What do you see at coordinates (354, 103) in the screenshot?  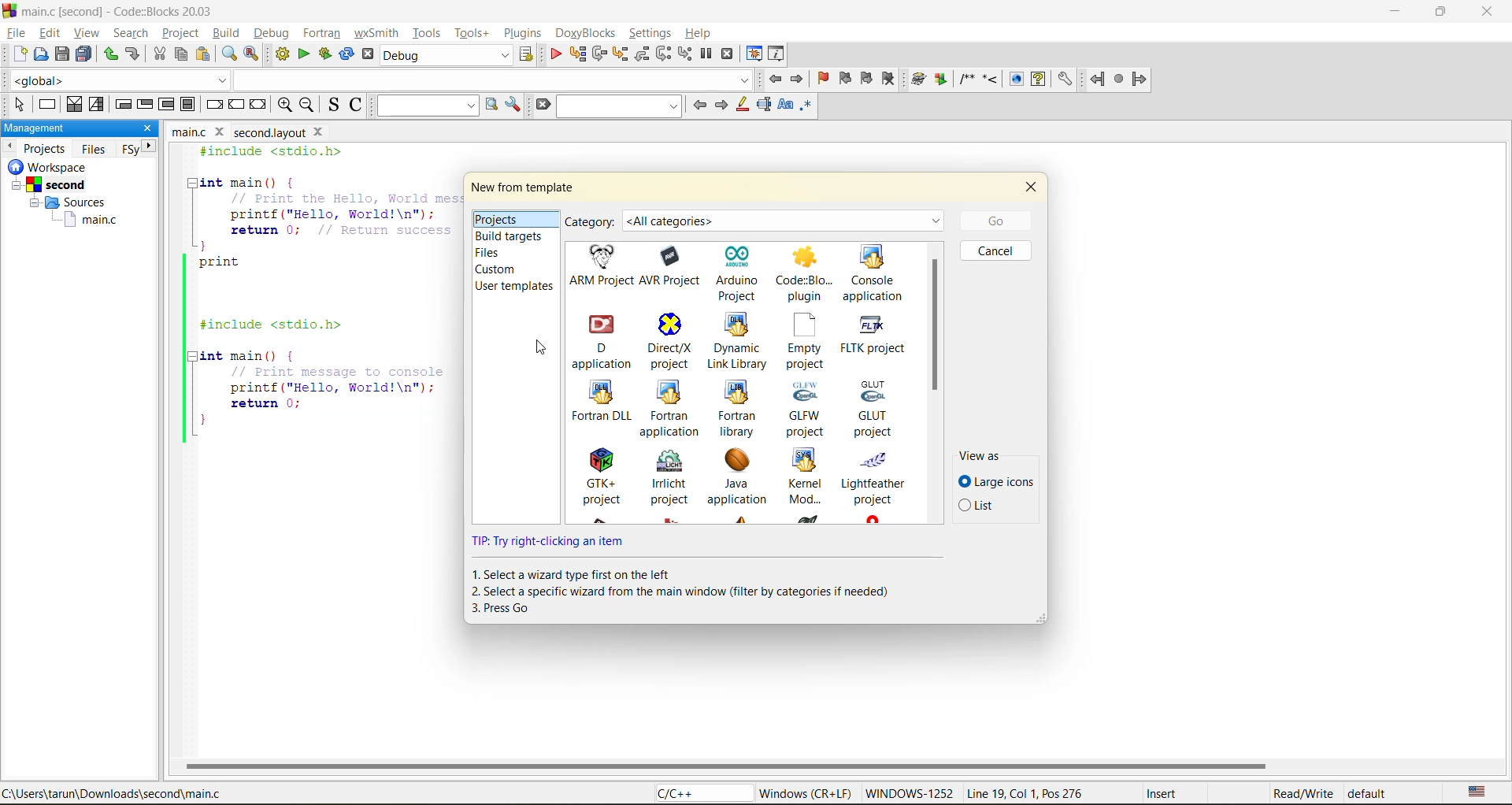 I see `toggle comments` at bounding box center [354, 103].